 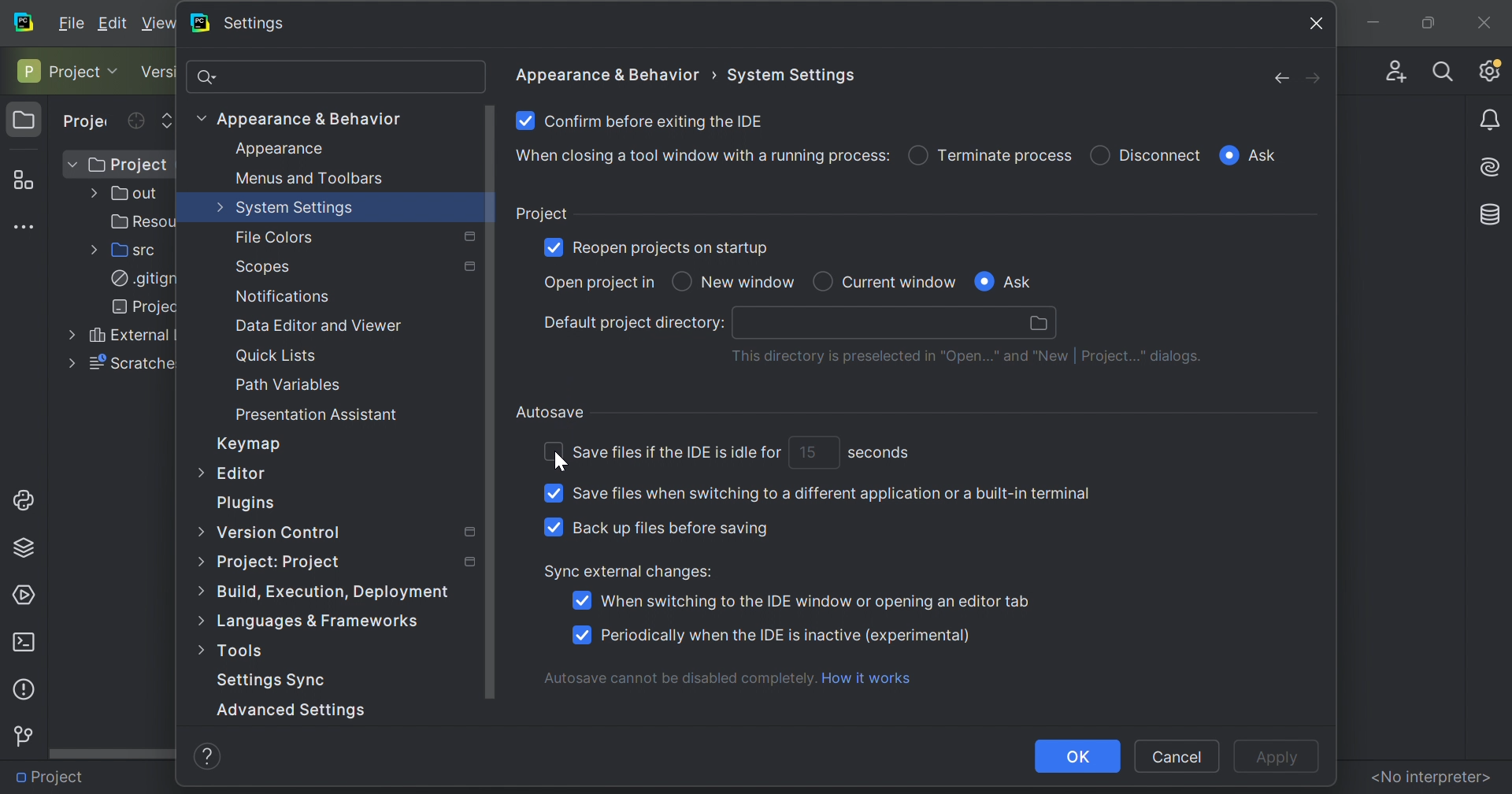 I want to click on View, so click(x=159, y=23).